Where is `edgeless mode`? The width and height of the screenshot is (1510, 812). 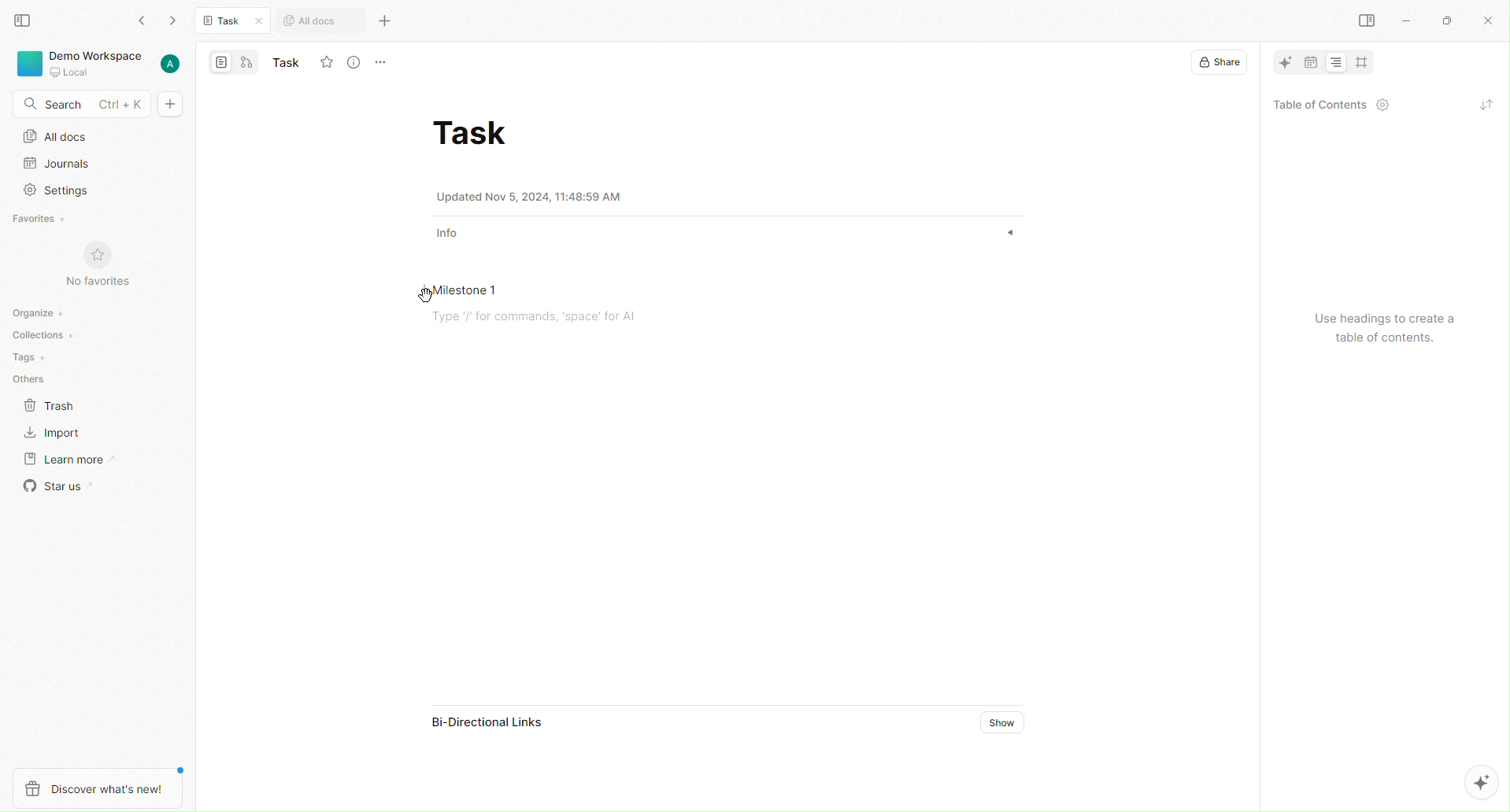 edgeless mode is located at coordinates (247, 64).